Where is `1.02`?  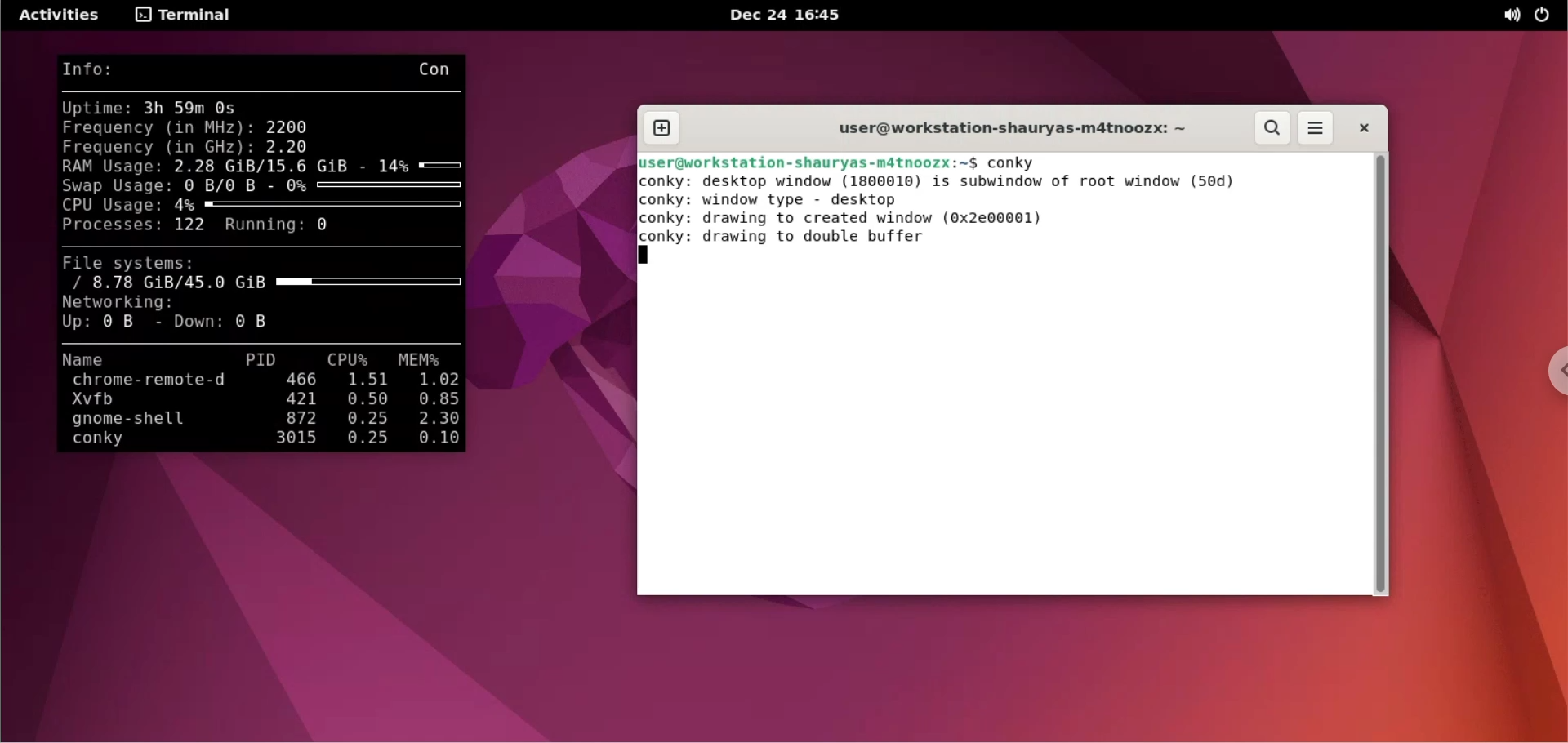
1.02 is located at coordinates (438, 380).